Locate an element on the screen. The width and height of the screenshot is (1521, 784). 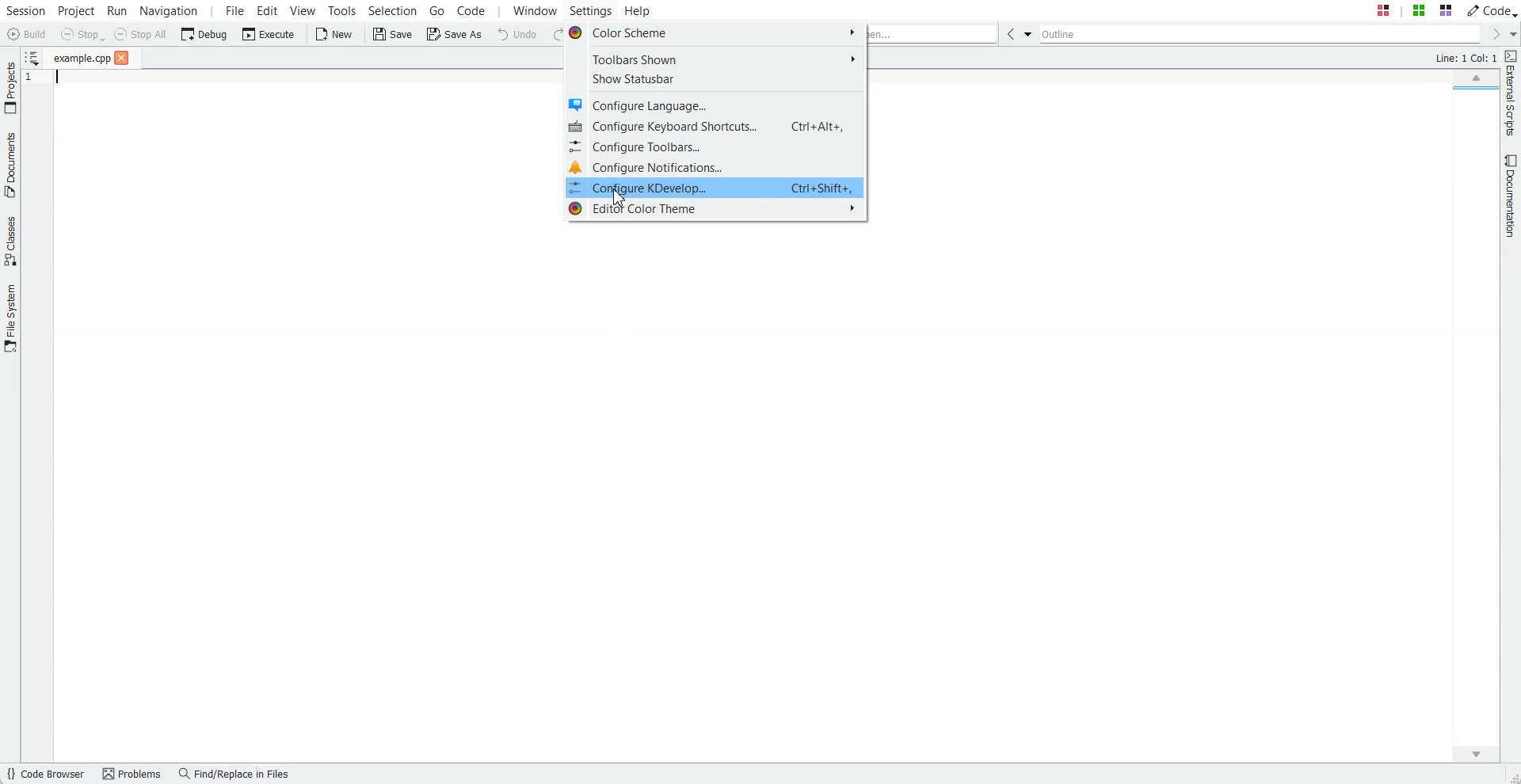
Save is located at coordinates (393, 35).